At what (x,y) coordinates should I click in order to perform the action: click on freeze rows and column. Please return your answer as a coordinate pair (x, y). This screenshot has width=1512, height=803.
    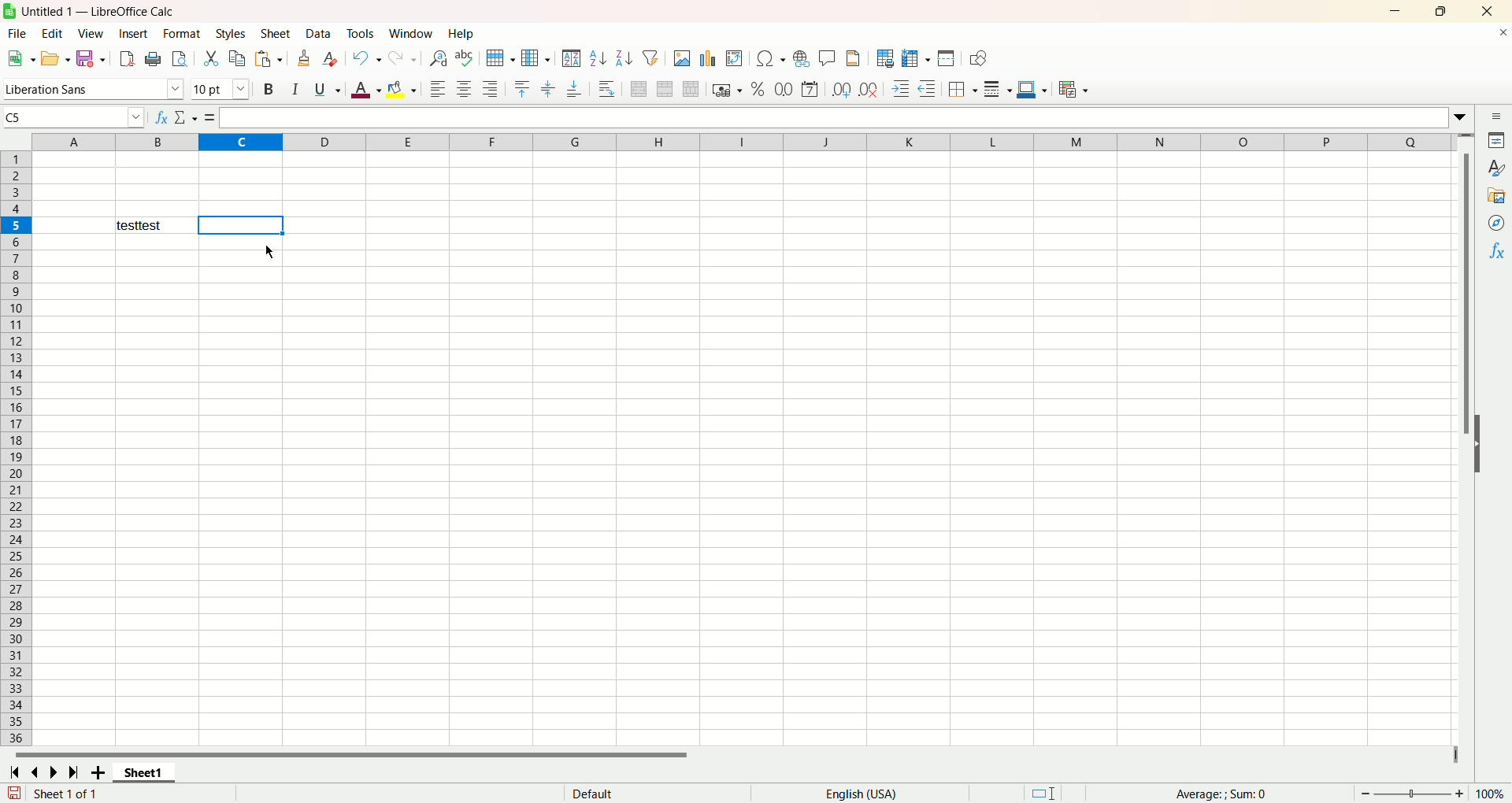
    Looking at the image, I should click on (915, 59).